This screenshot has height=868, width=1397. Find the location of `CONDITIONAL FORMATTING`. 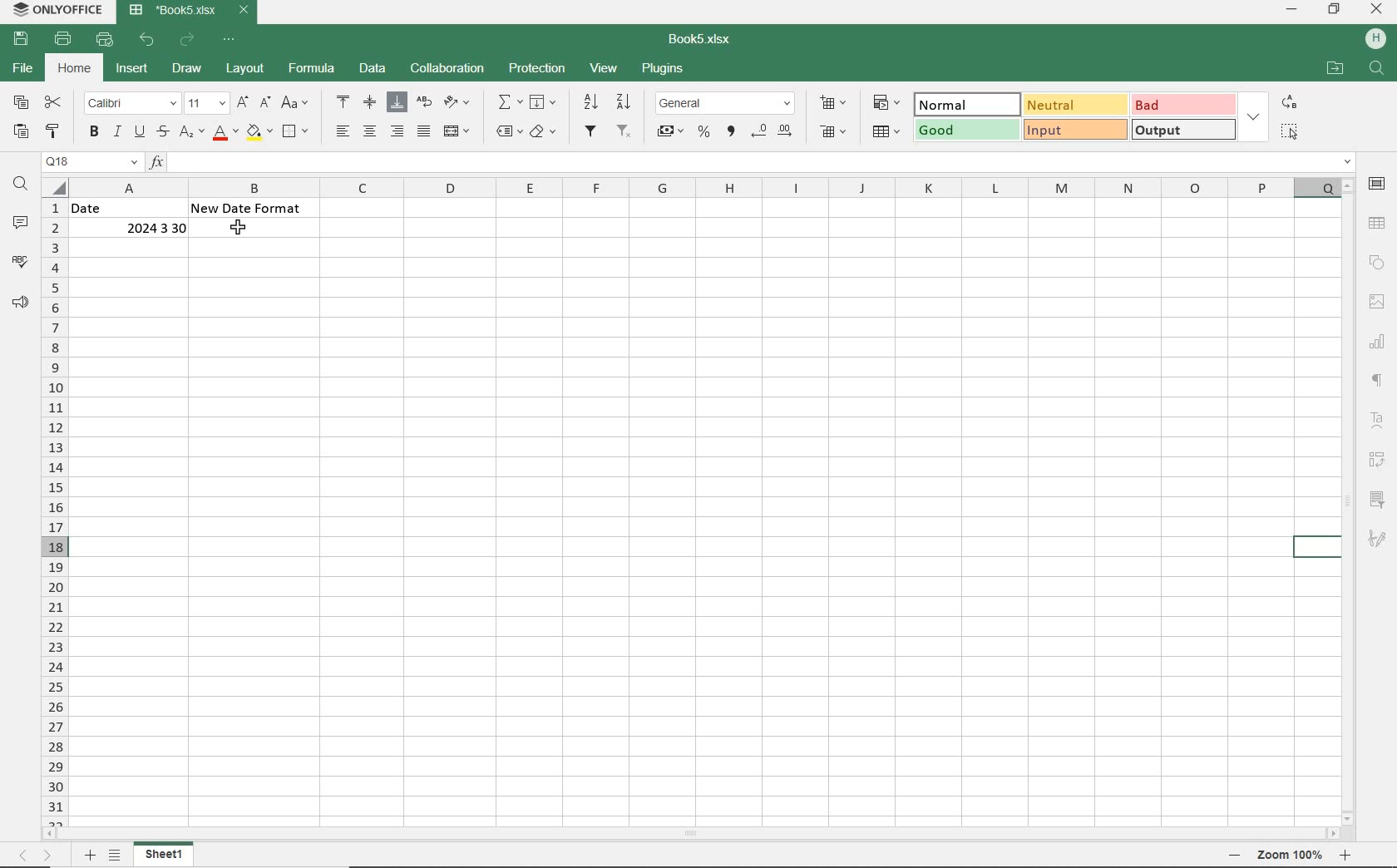

CONDITIONAL FORMATTING is located at coordinates (885, 103).